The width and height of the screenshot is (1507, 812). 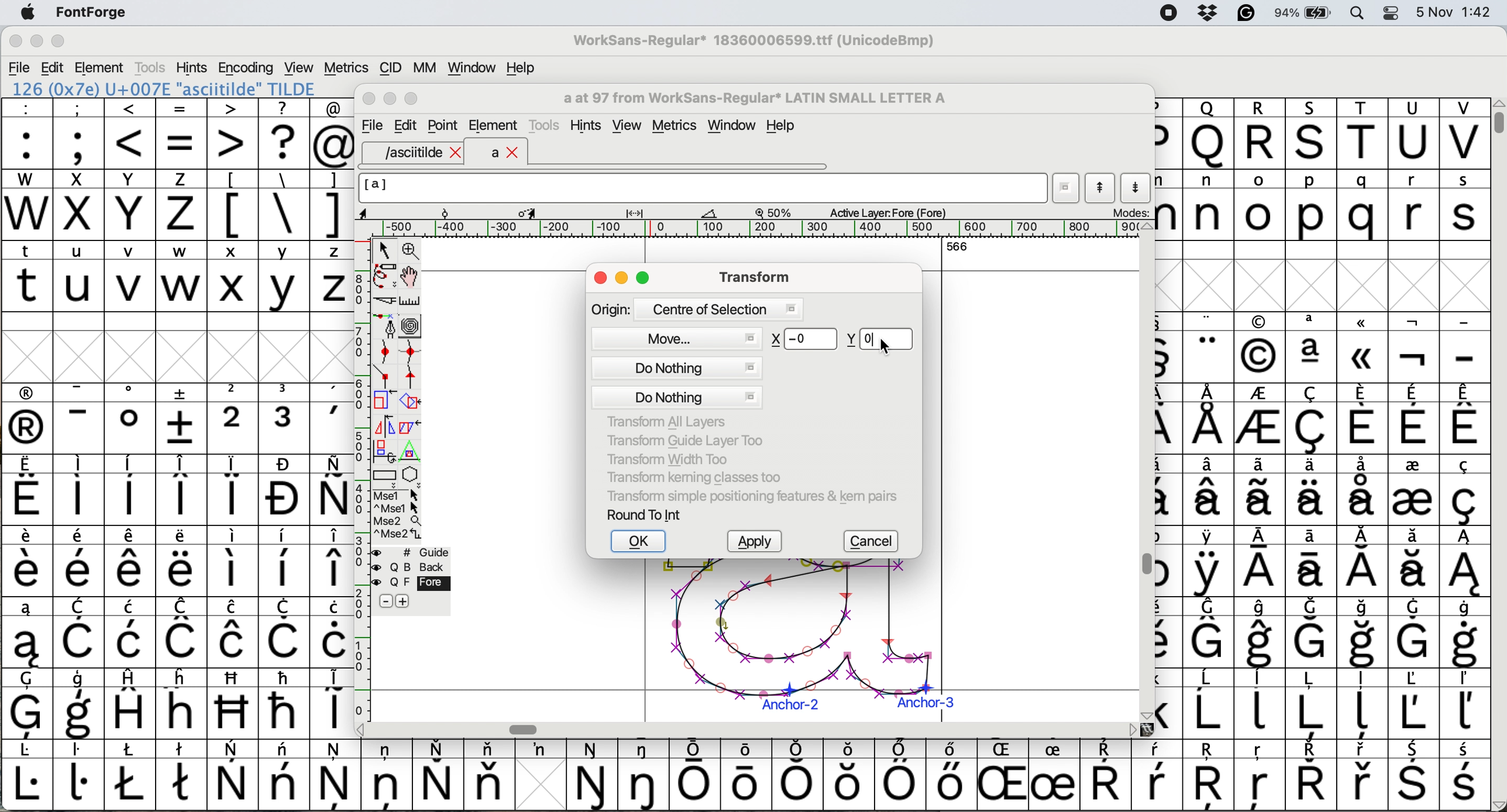 What do you see at coordinates (54, 68) in the screenshot?
I see `edit` at bounding box center [54, 68].